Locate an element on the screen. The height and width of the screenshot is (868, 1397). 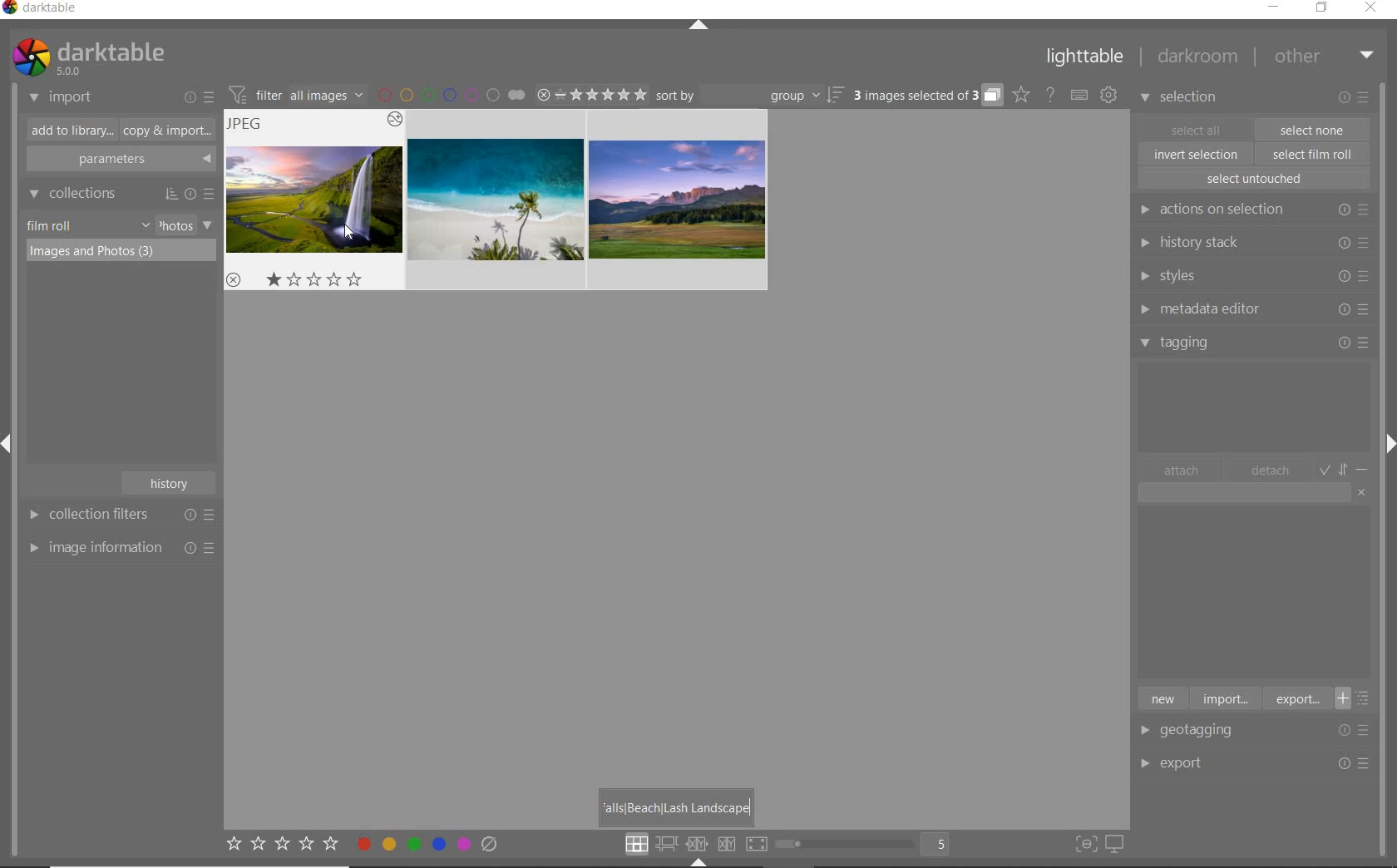
clear entry is located at coordinates (1362, 491).